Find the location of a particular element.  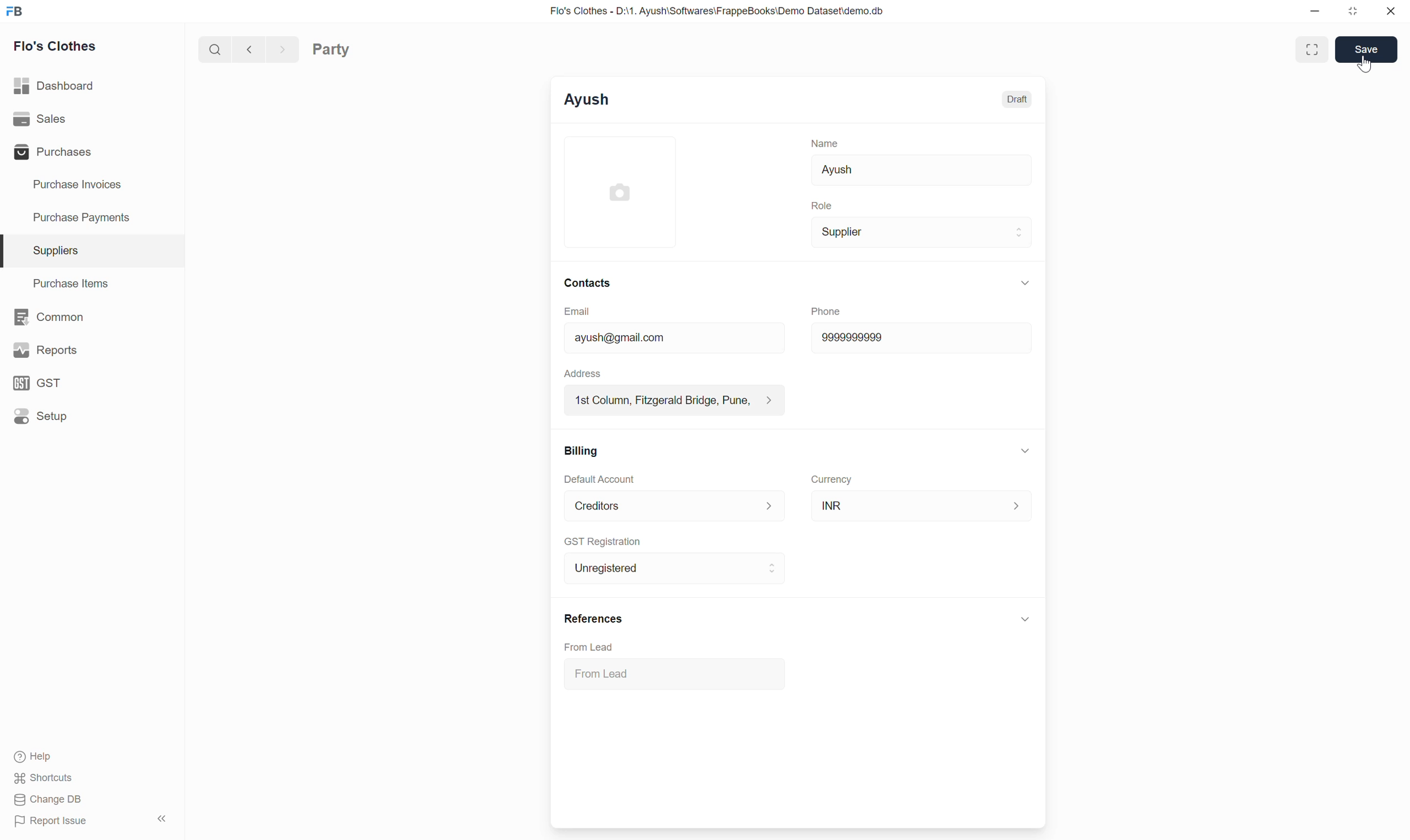

Ayush is located at coordinates (921, 170).